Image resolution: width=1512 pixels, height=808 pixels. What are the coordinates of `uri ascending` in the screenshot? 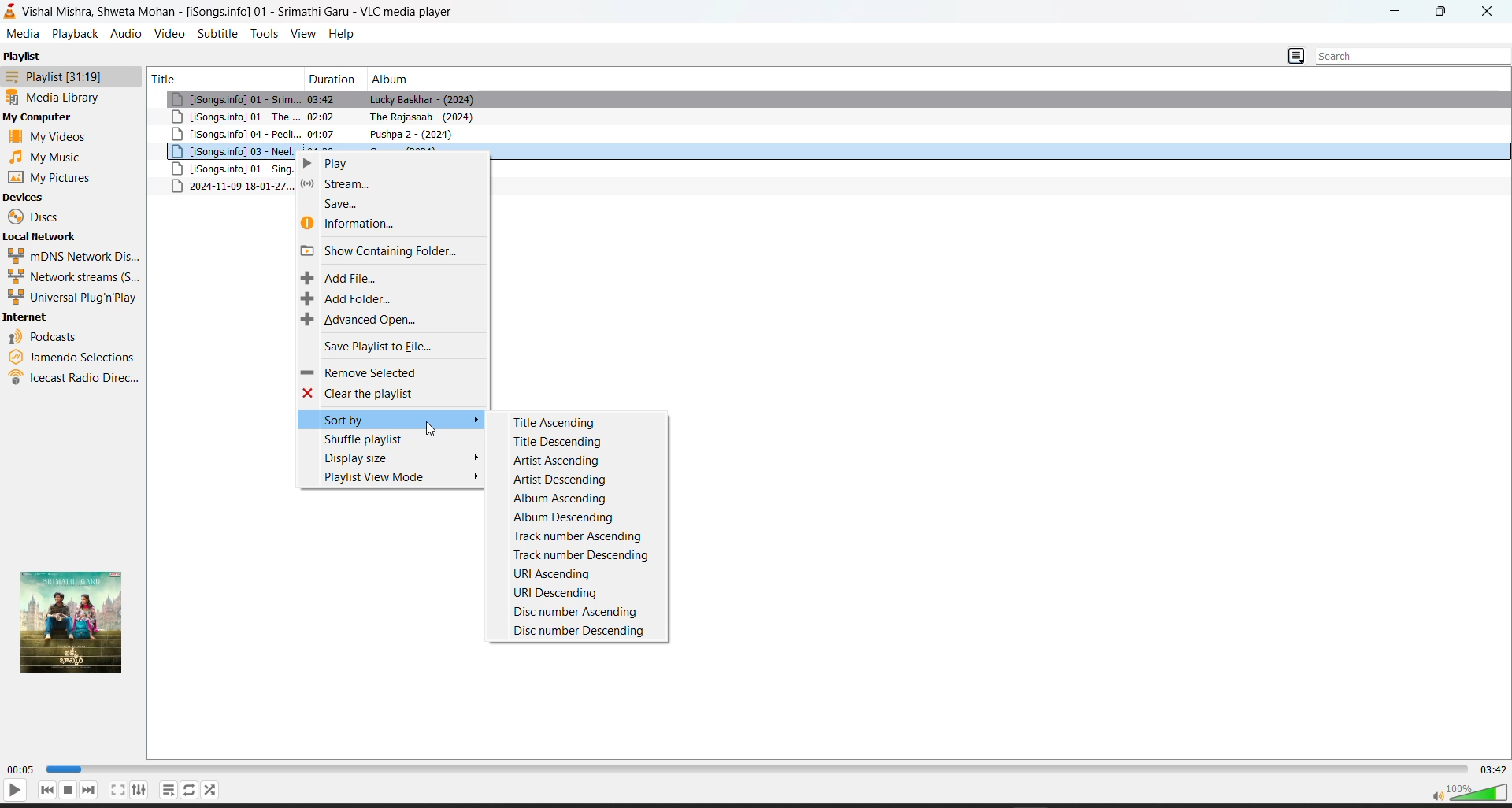 It's located at (578, 573).